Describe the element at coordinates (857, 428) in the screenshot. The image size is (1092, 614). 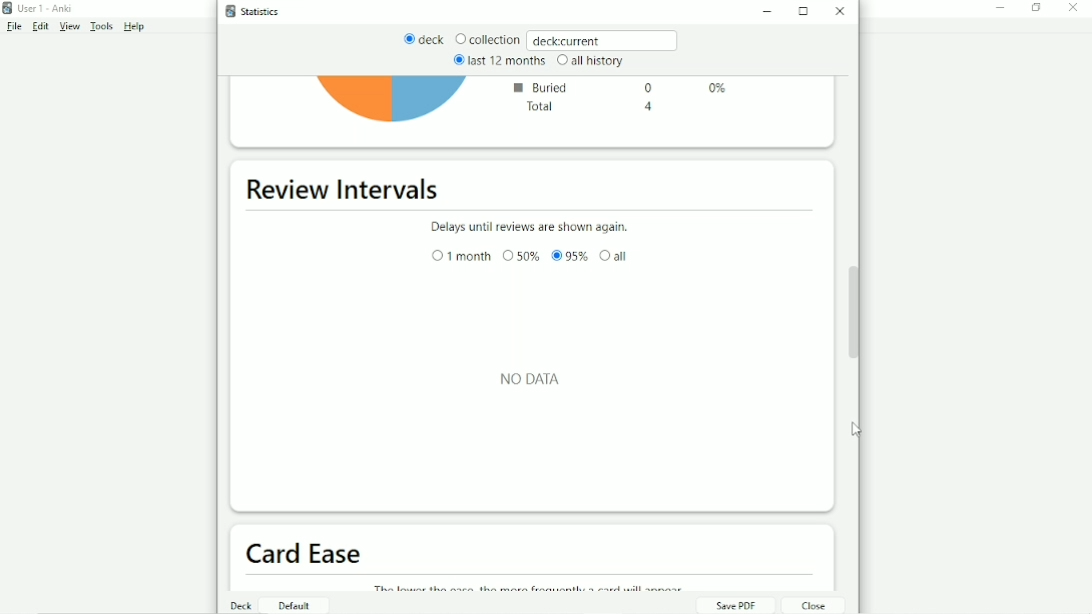
I see `Cursor` at that location.